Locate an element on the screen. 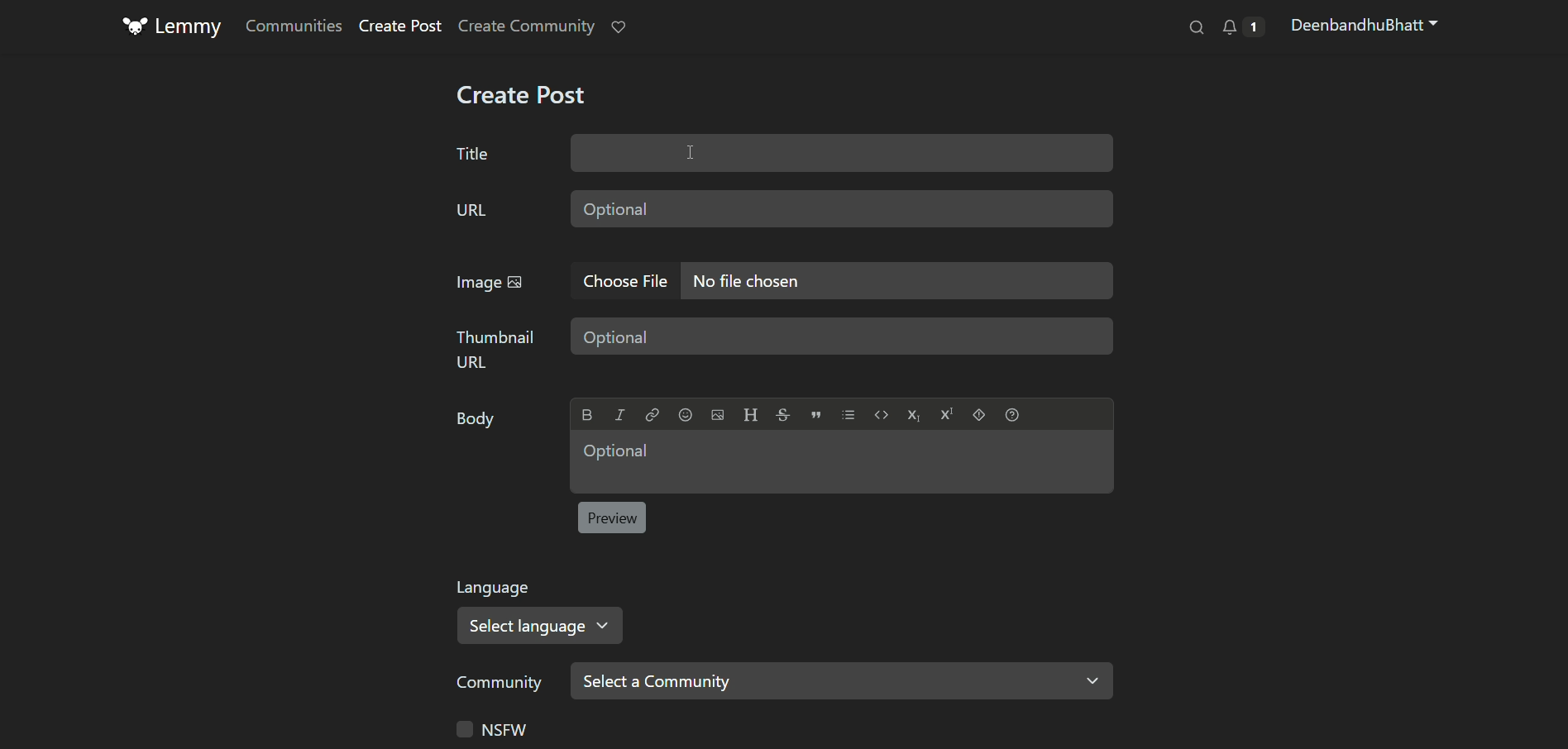  text box is located at coordinates (844, 337).